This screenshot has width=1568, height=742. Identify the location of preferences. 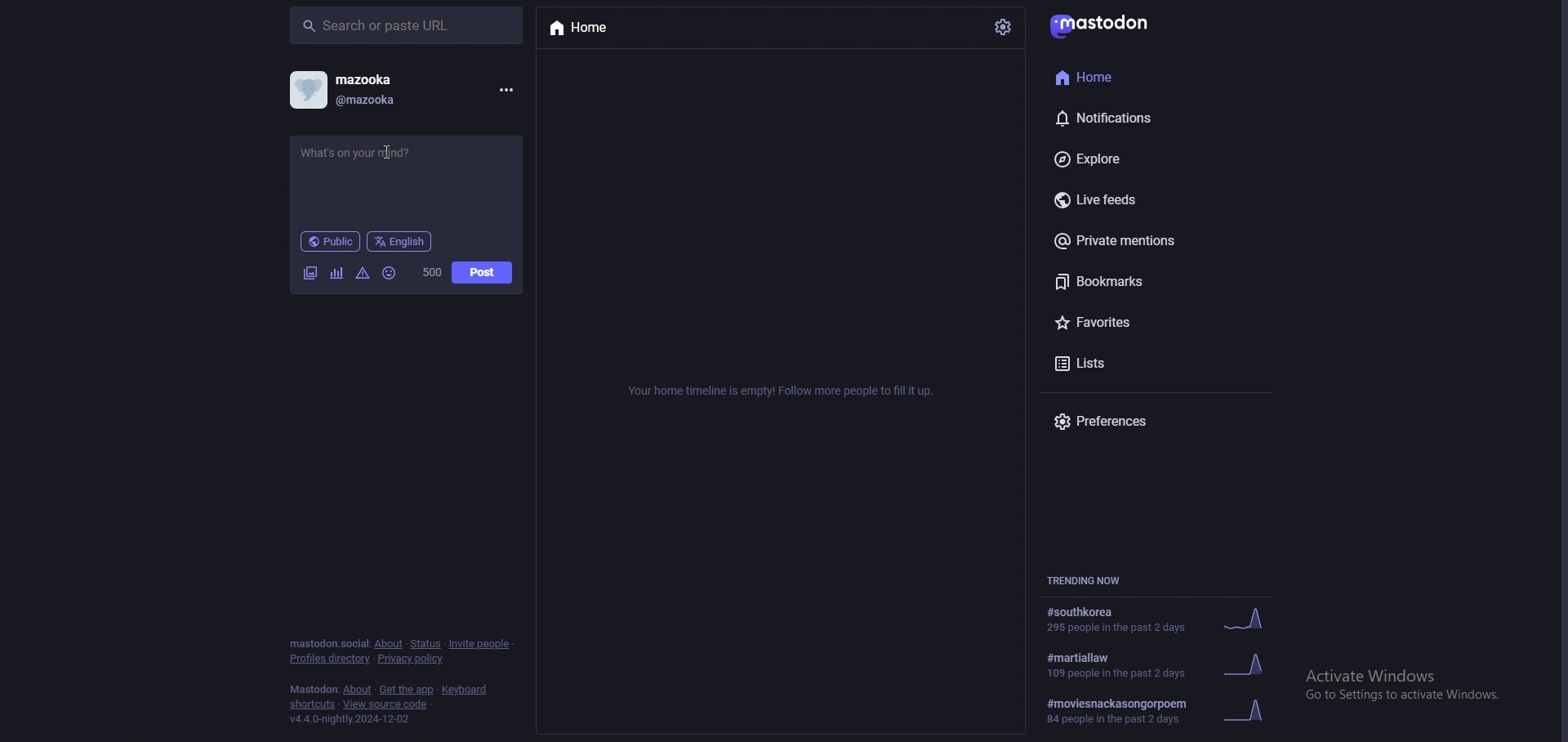
(1147, 420).